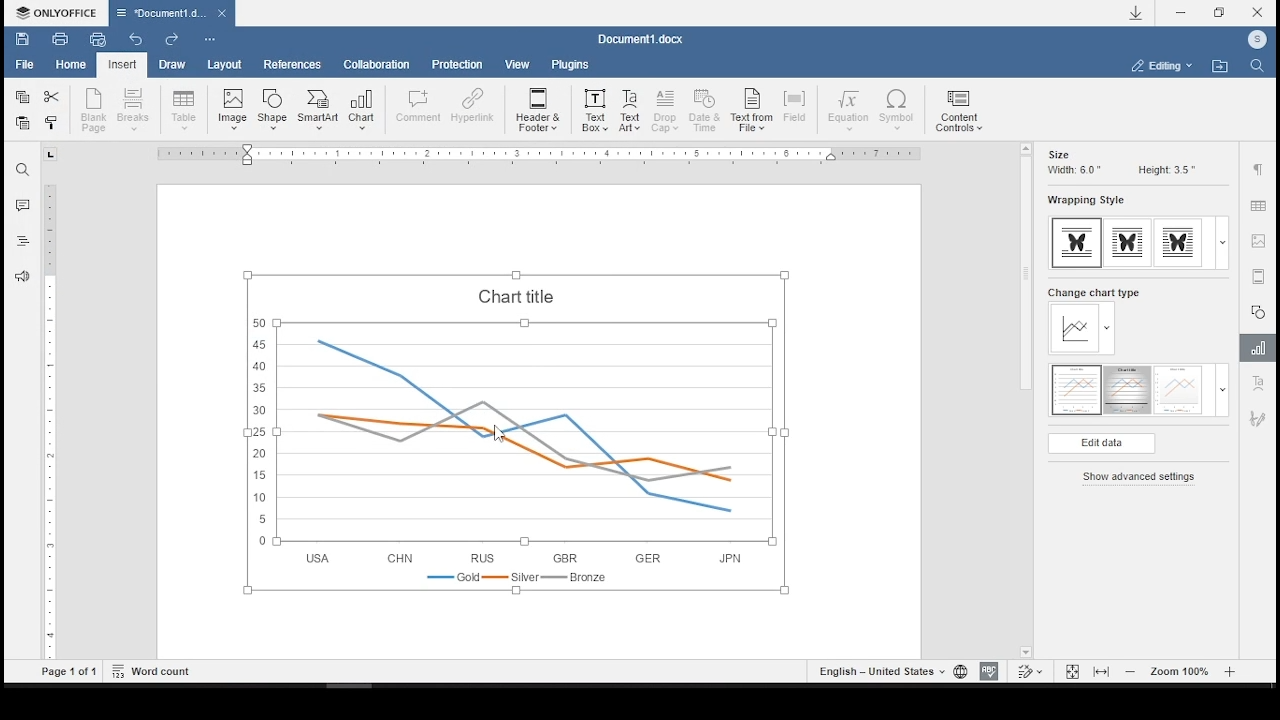  Describe the element at coordinates (1222, 390) in the screenshot. I see `expand` at that location.